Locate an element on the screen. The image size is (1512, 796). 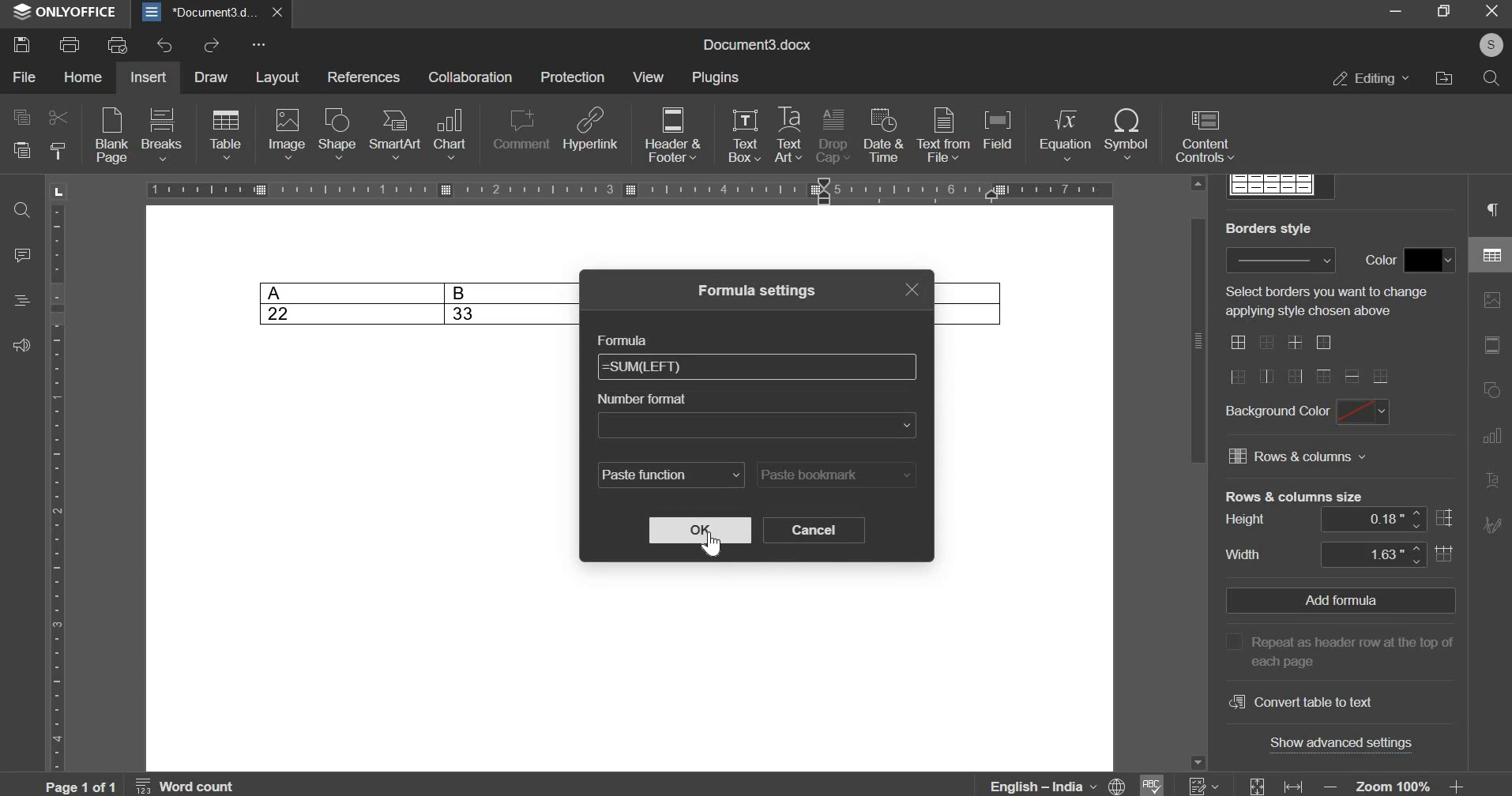
date & time is located at coordinates (882, 136).